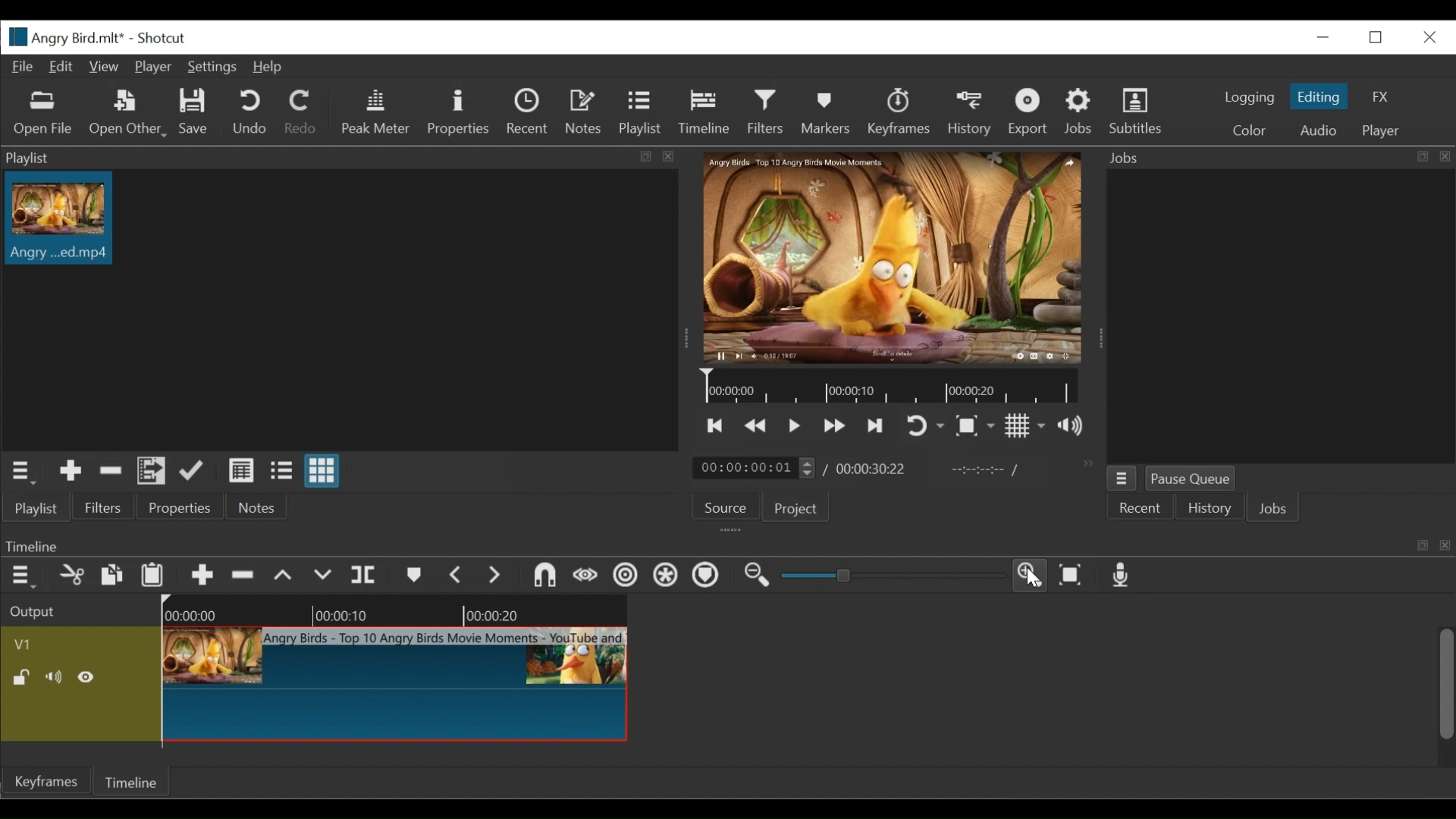 This screenshot has height=819, width=1456. Describe the element at coordinates (128, 114) in the screenshot. I see `Open Other` at that location.